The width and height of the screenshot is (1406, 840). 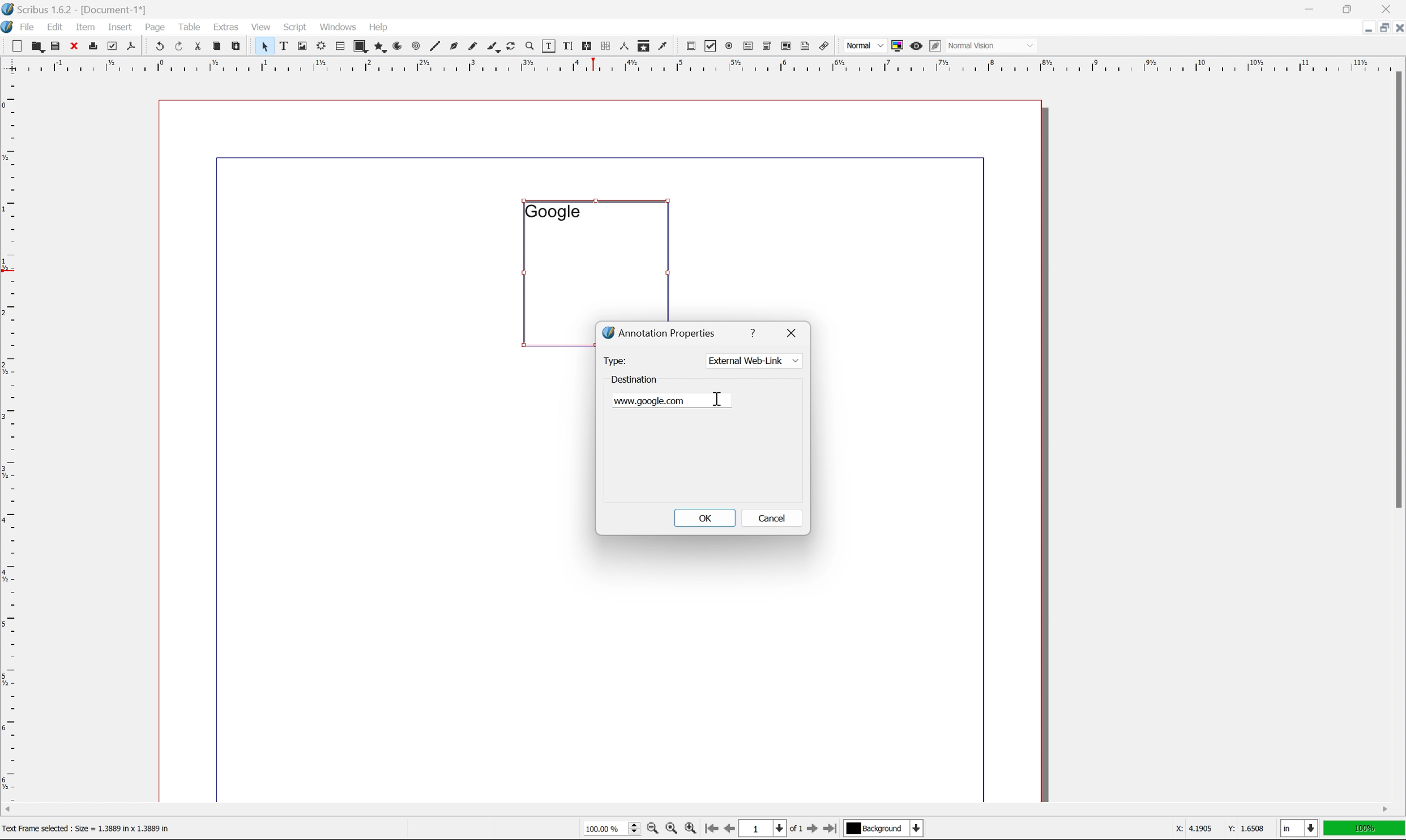 I want to click on print, so click(x=92, y=47).